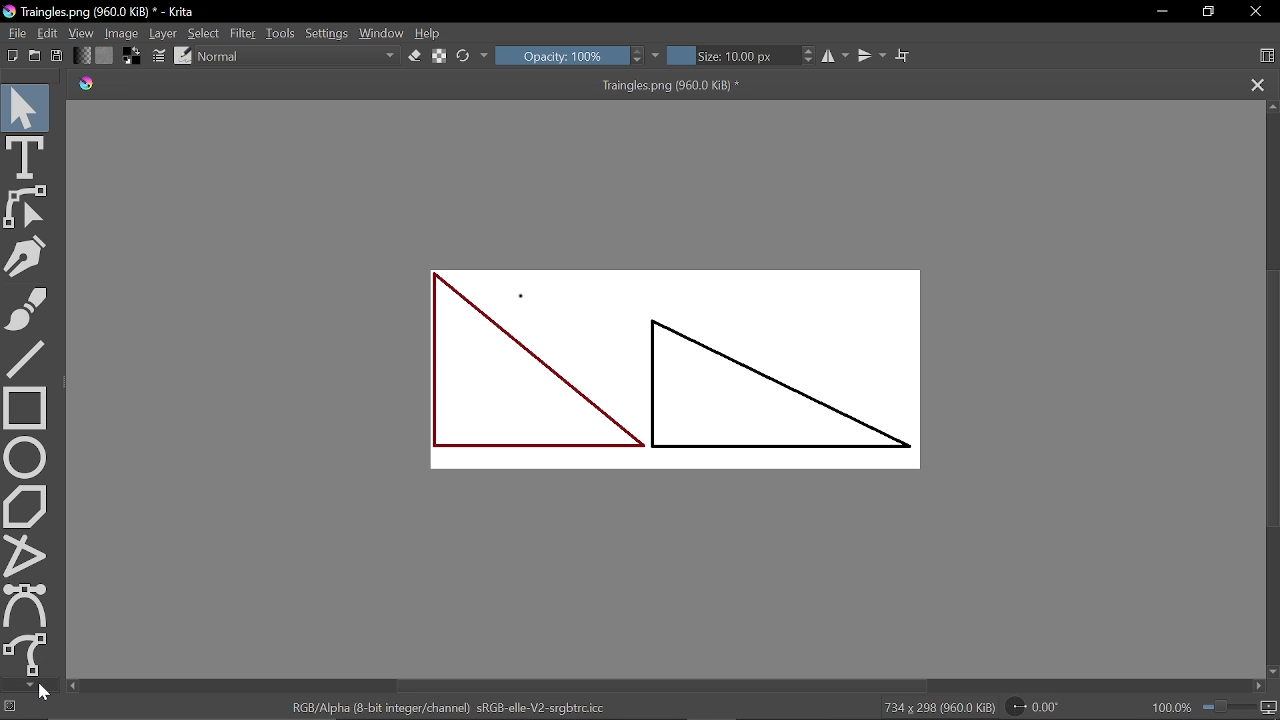  Describe the element at coordinates (25, 257) in the screenshot. I see `Calligraphy` at that location.